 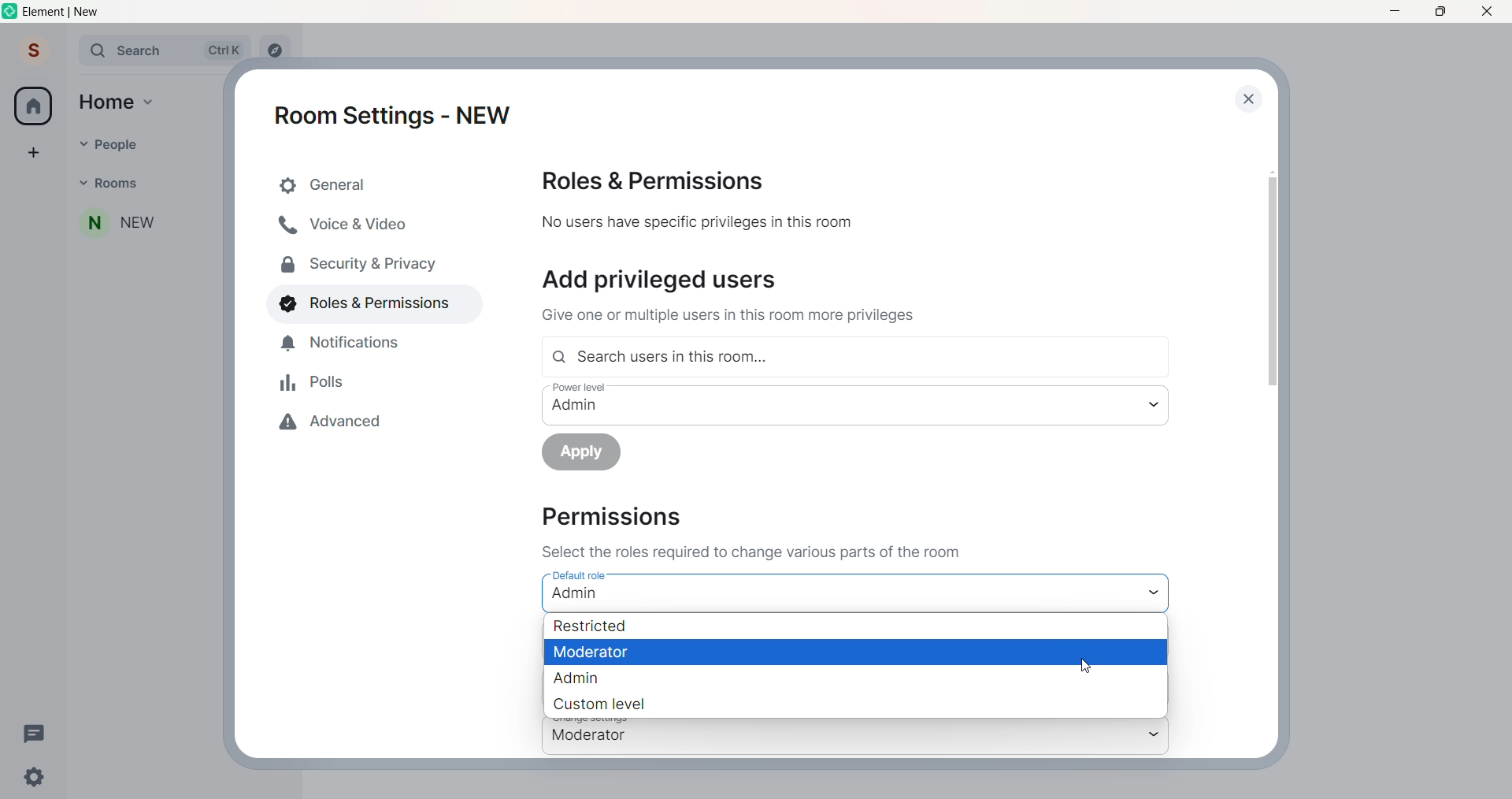 What do you see at coordinates (600, 652) in the screenshot?
I see `moderator` at bounding box center [600, 652].